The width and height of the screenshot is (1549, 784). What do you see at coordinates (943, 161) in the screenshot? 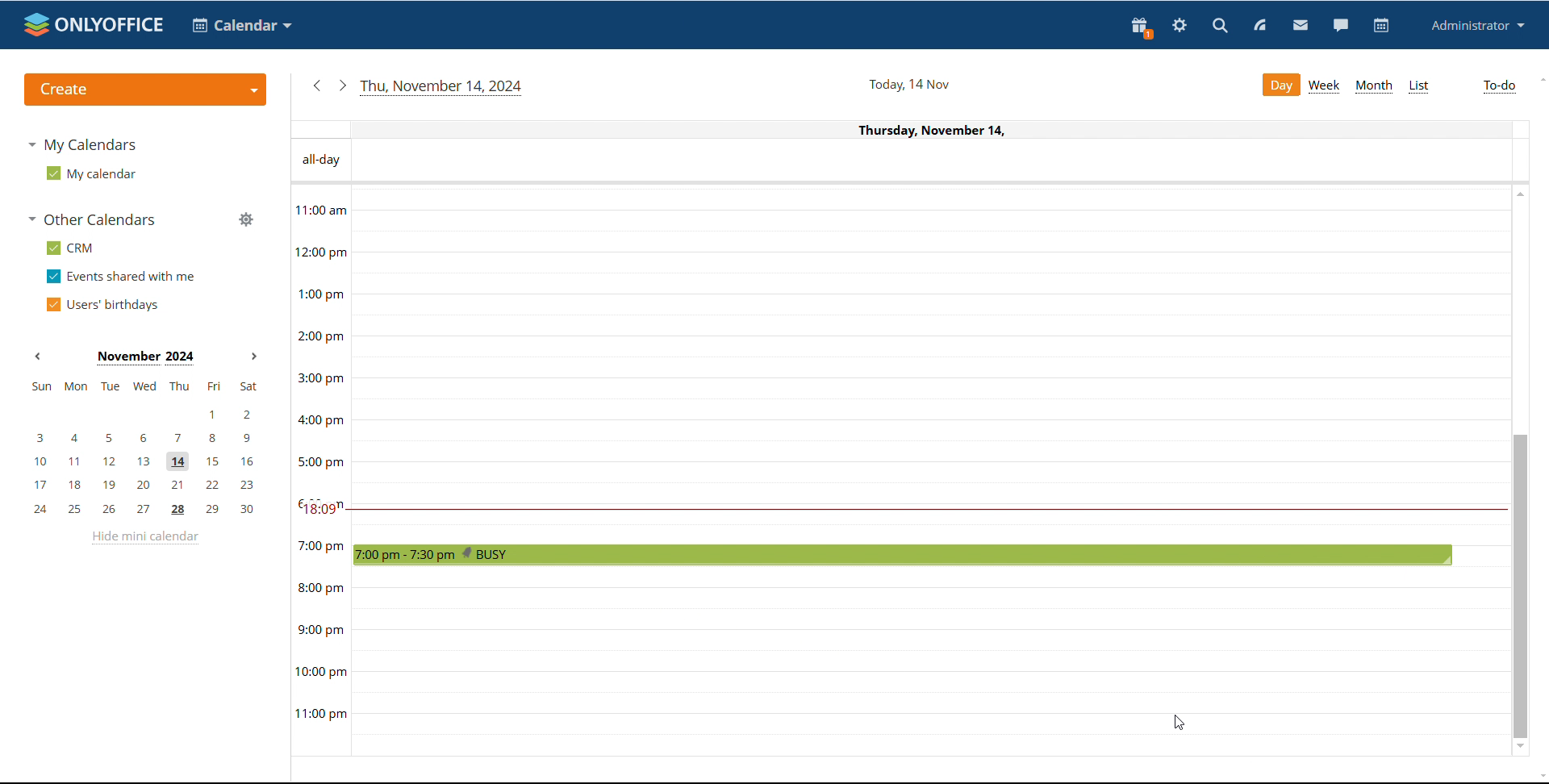
I see `all-day events` at bounding box center [943, 161].